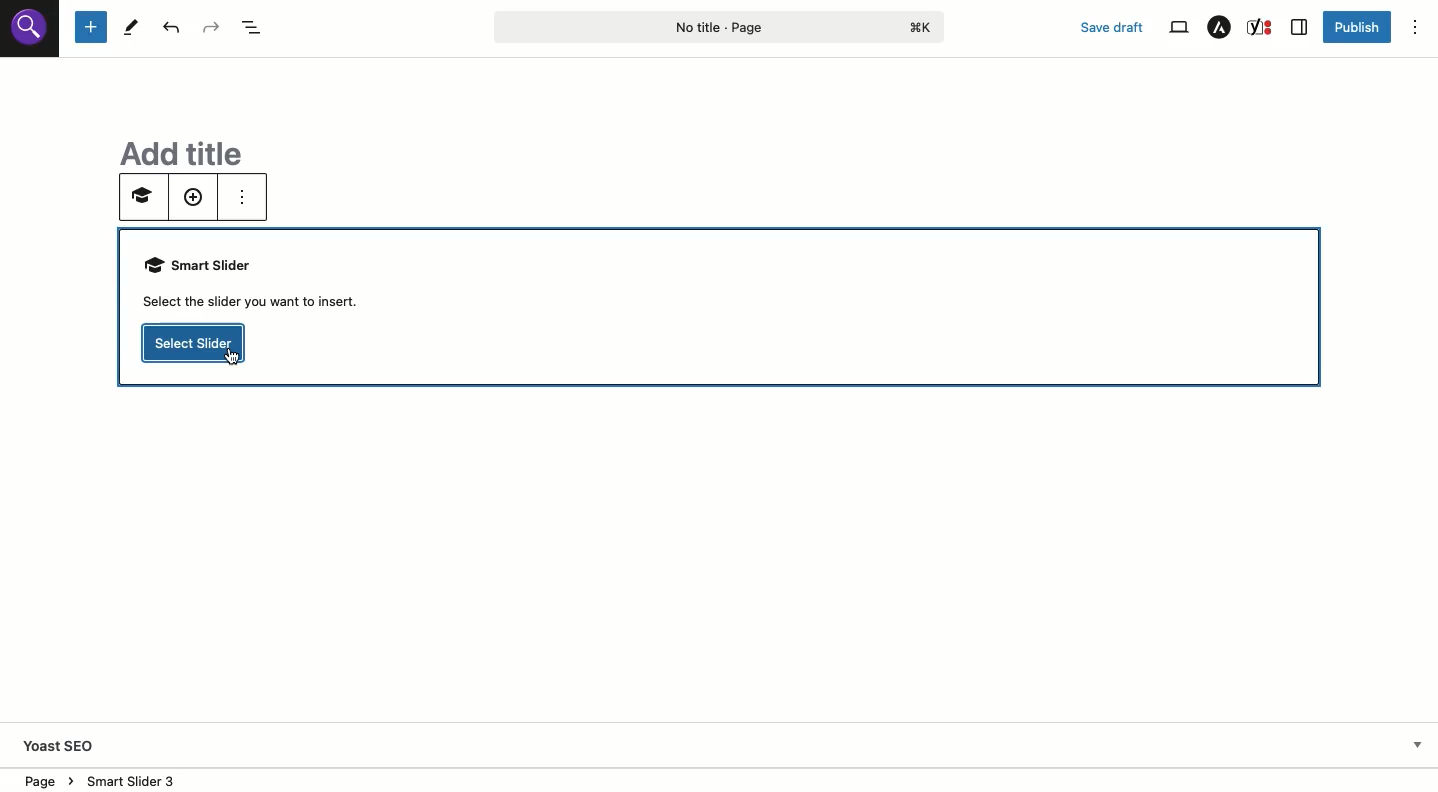 The height and width of the screenshot is (792, 1438). I want to click on Redo, so click(210, 28).